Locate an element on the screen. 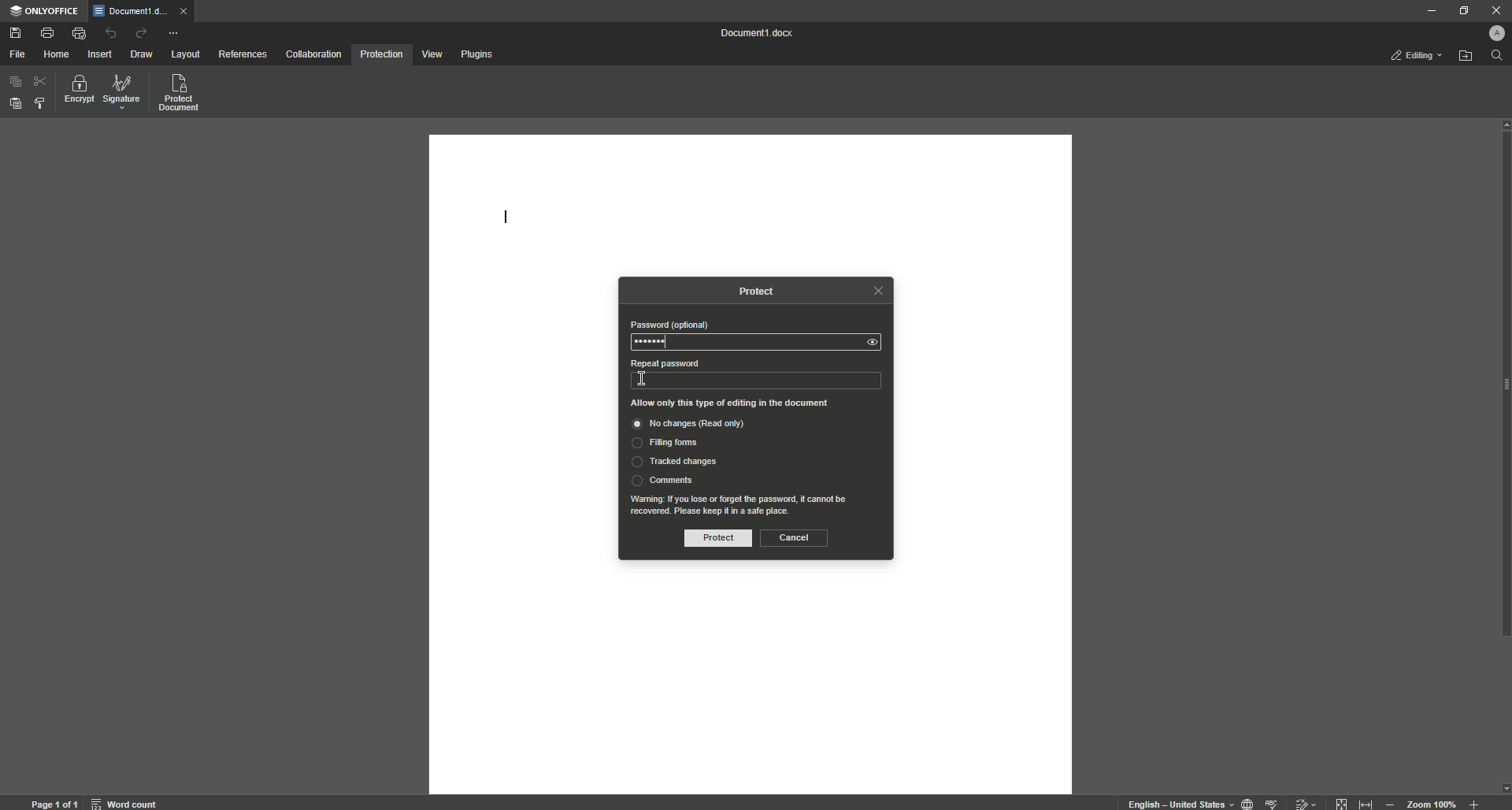 This screenshot has height=810, width=1512. Paste is located at coordinates (13, 102).